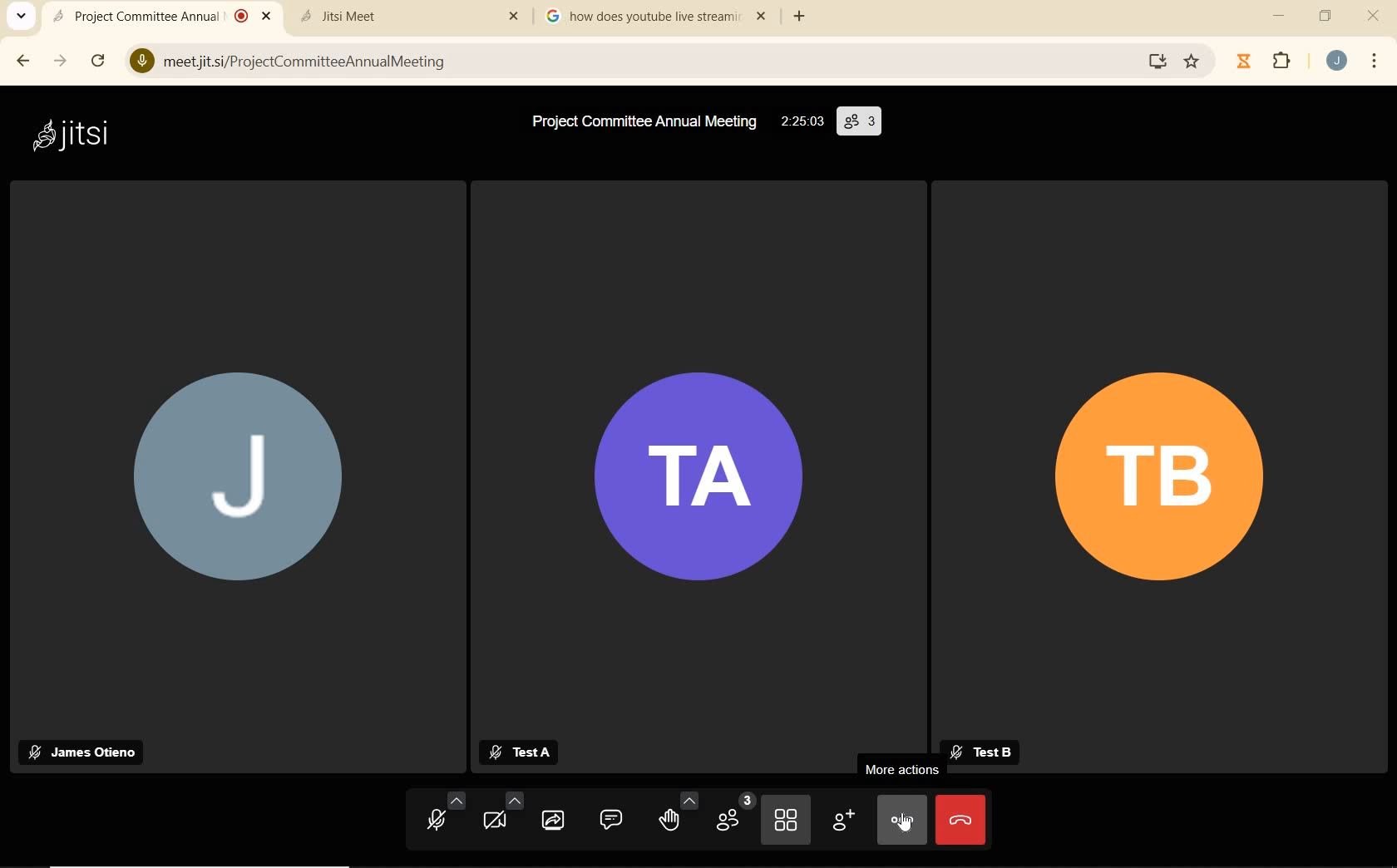 This screenshot has height=868, width=1397. What do you see at coordinates (1192, 62) in the screenshot?
I see `Bookmark ` at bounding box center [1192, 62].